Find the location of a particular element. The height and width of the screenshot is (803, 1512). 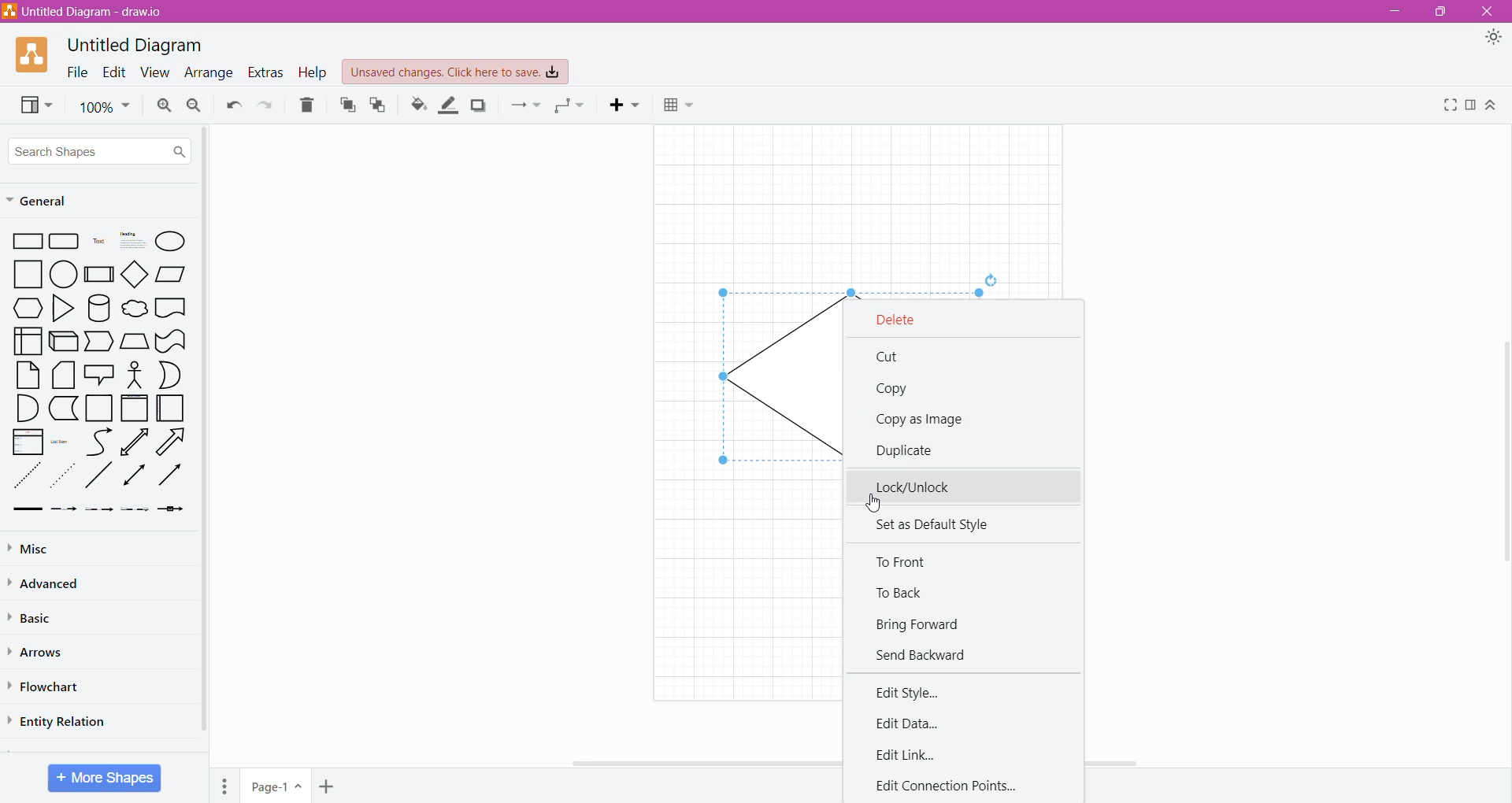

Vertical Scroll Bar is located at coordinates (1502, 447).